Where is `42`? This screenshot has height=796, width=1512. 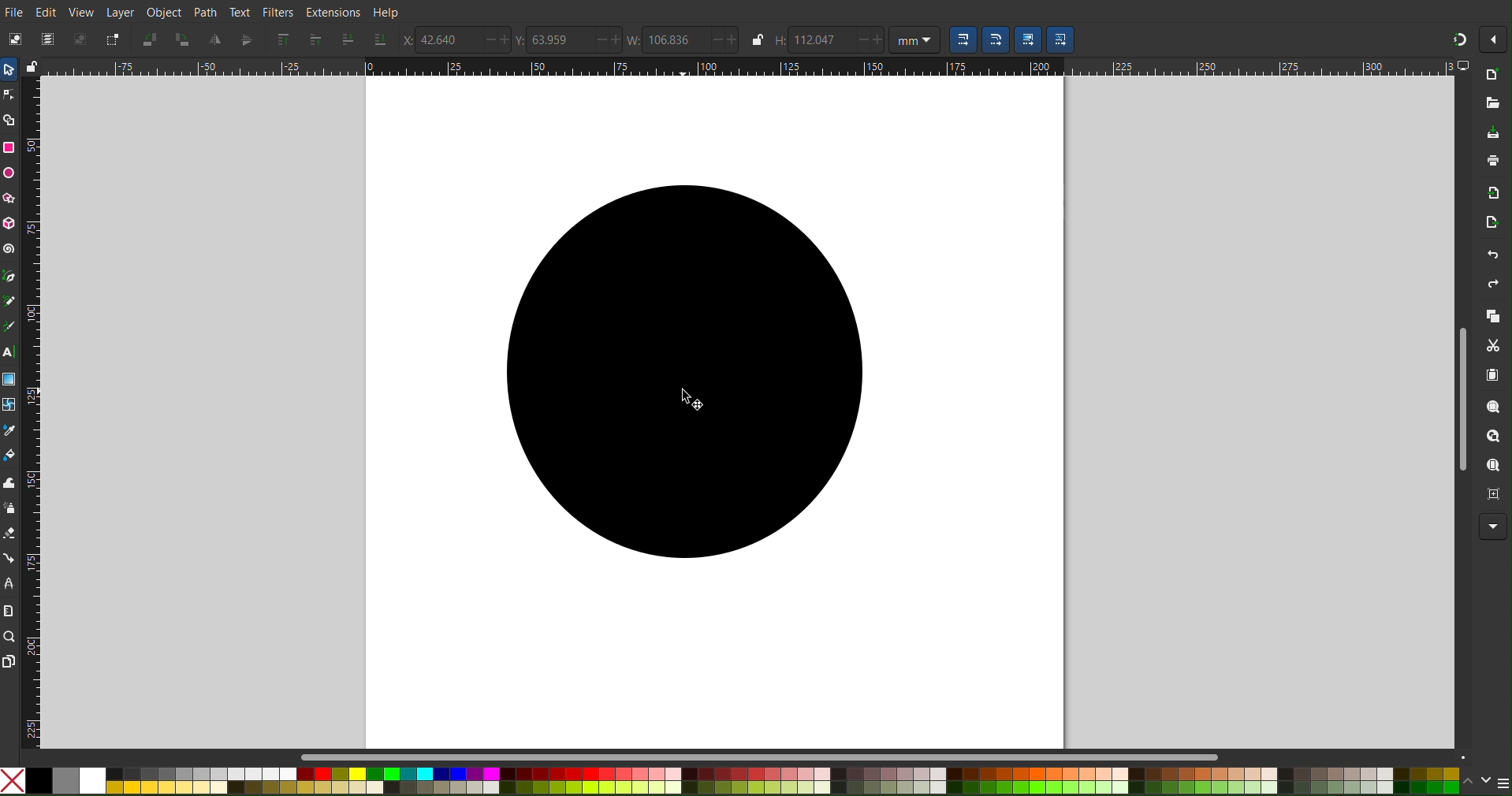 42 is located at coordinates (446, 39).